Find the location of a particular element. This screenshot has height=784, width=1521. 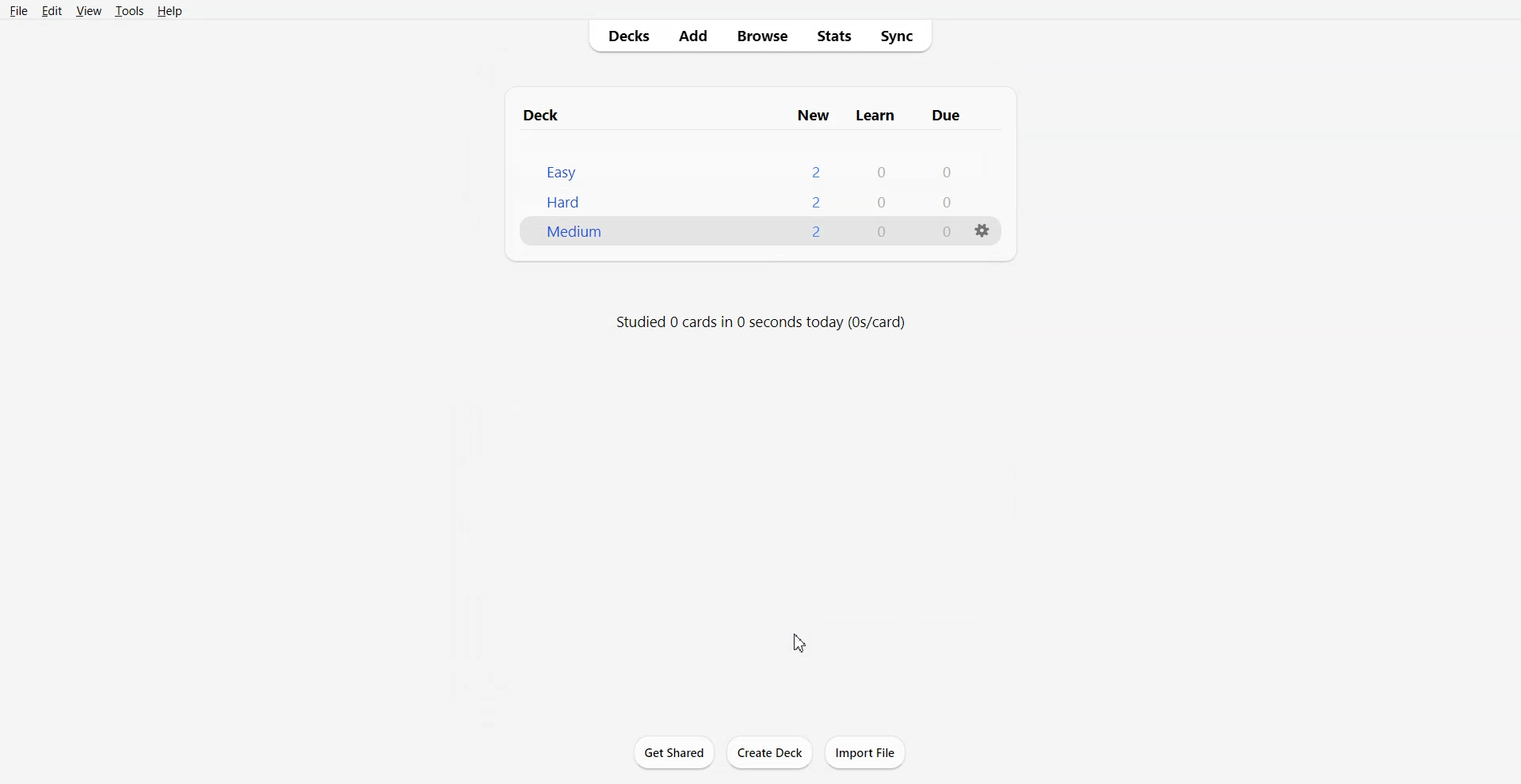

Edit is located at coordinates (53, 11).